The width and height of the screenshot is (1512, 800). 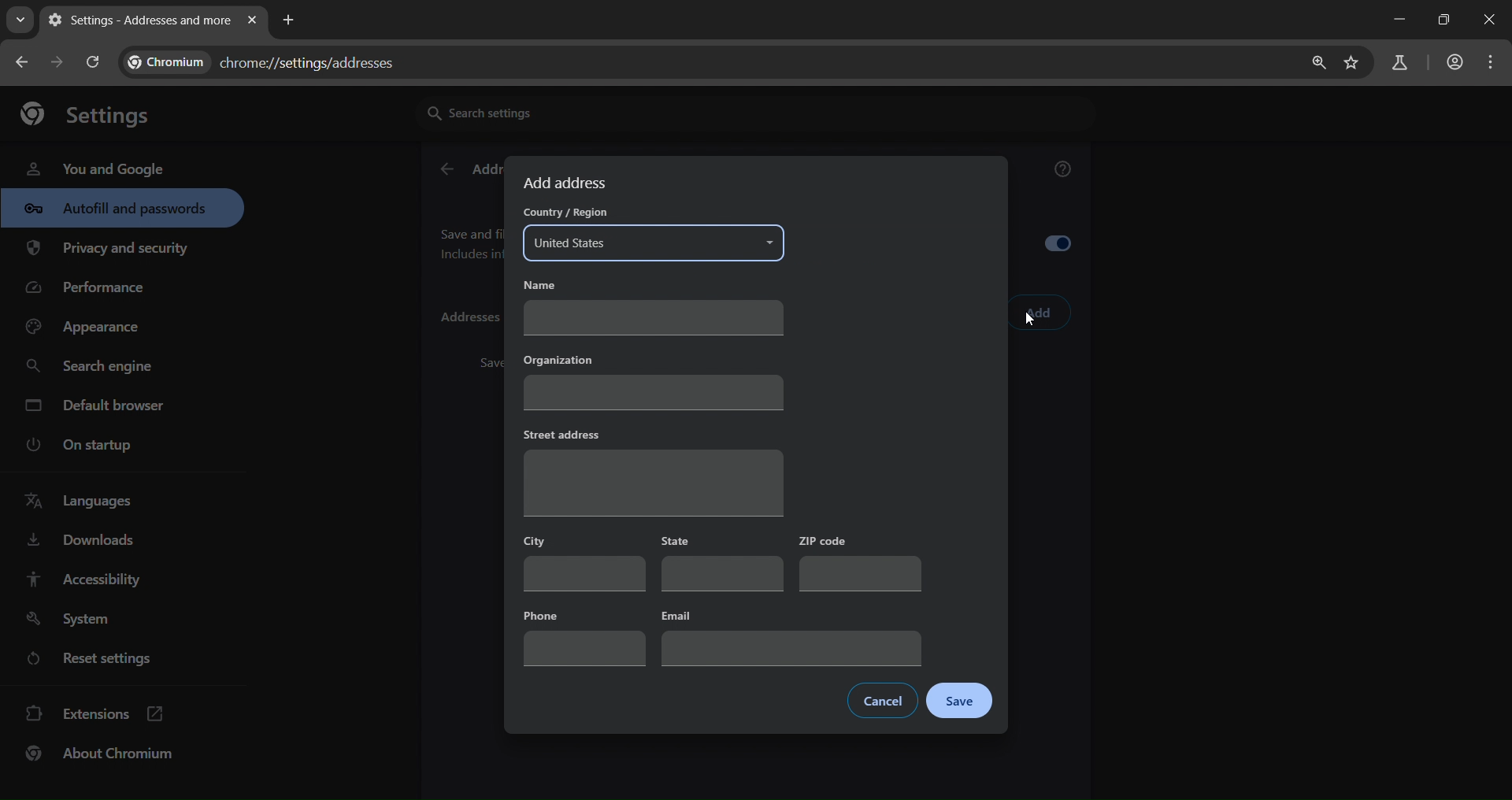 What do you see at coordinates (108, 251) in the screenshot?
I see `privacy & security` at bounding box center [108, 251].